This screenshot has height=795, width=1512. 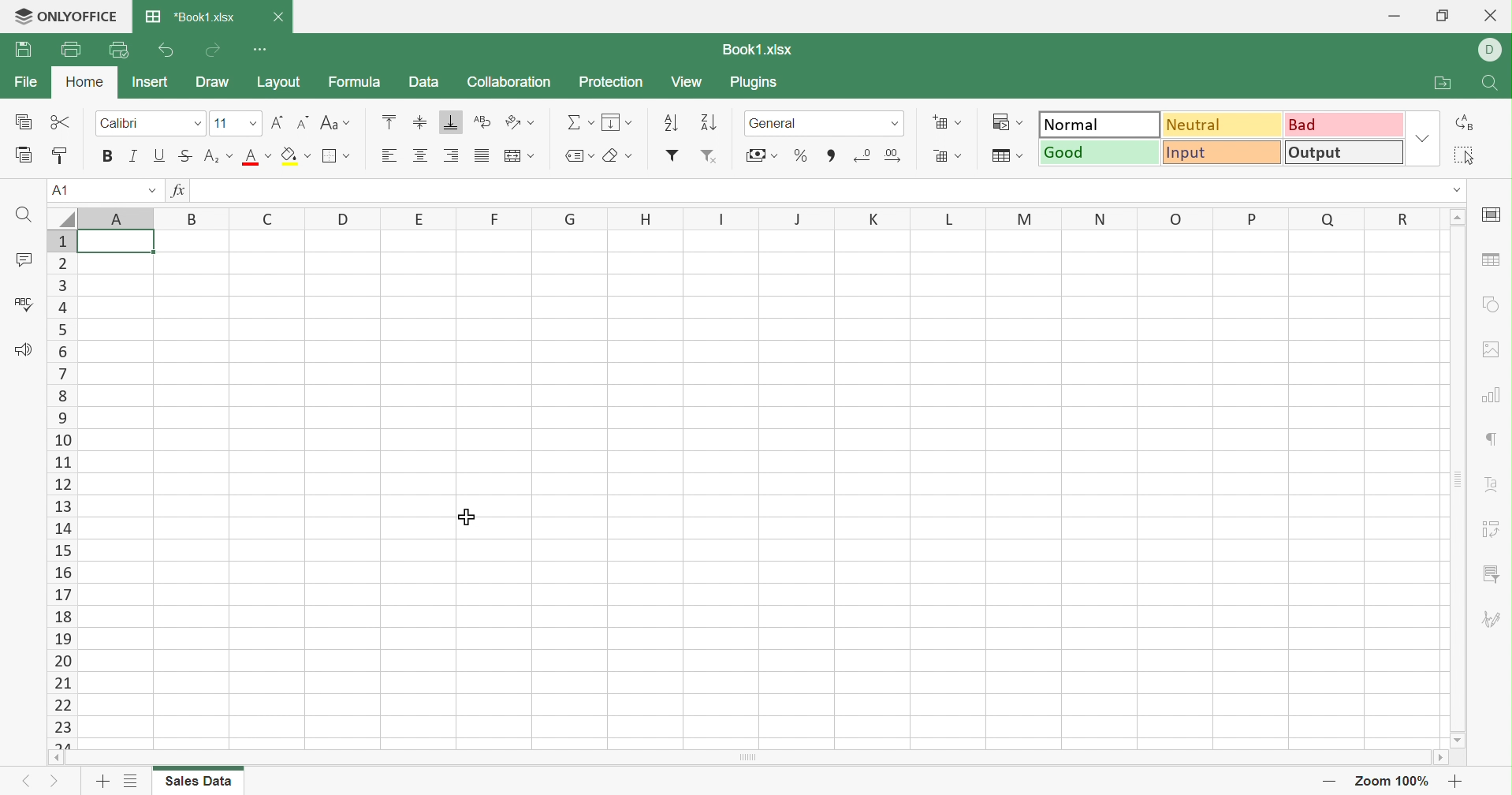 What do you see at coordinates (508, 82) in the screenshot?
I see `Collaboration` at bounding box center [508, 82].